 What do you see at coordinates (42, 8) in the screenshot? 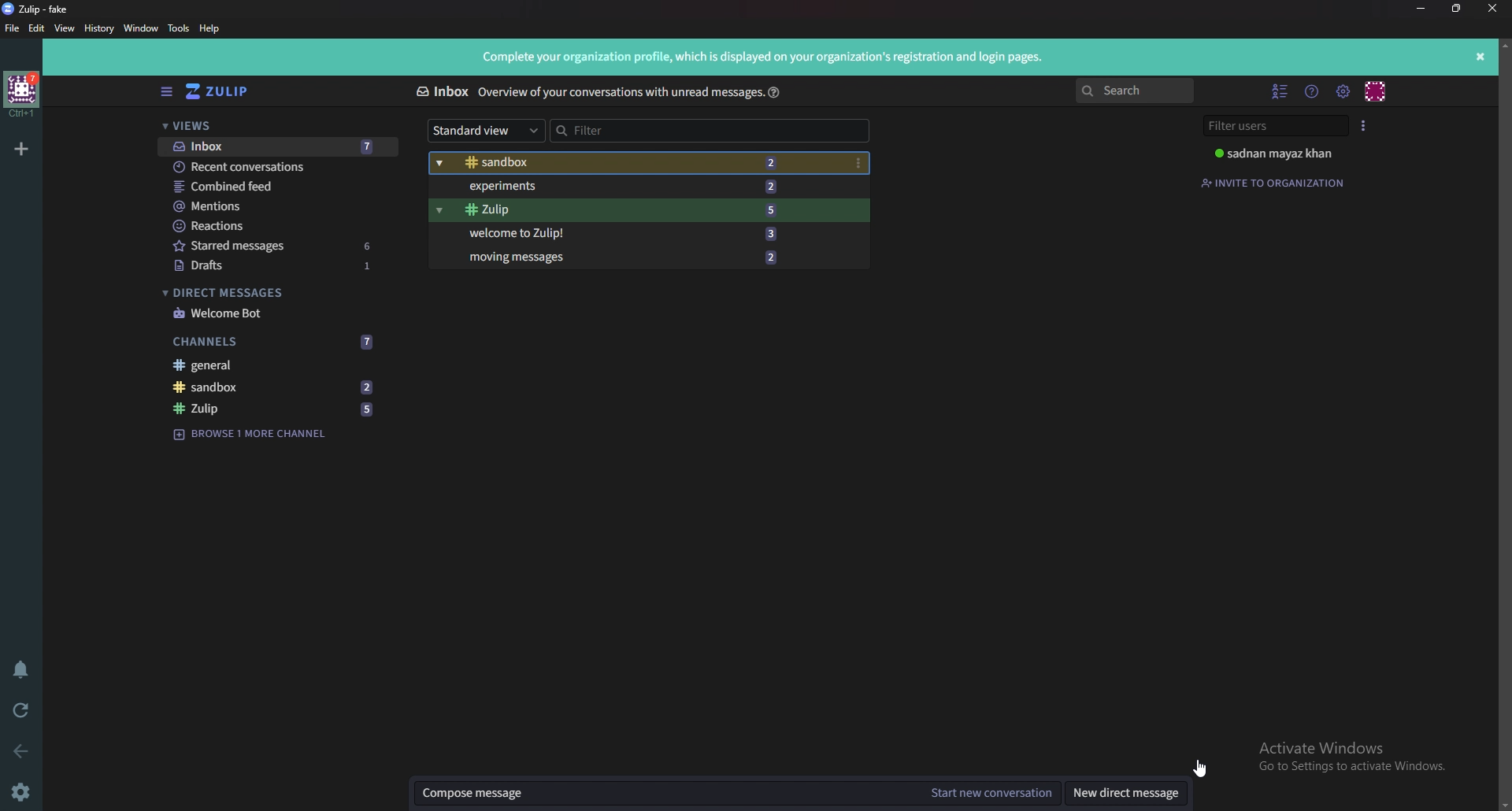
I see `zulip` at bounding box center [42, 8].